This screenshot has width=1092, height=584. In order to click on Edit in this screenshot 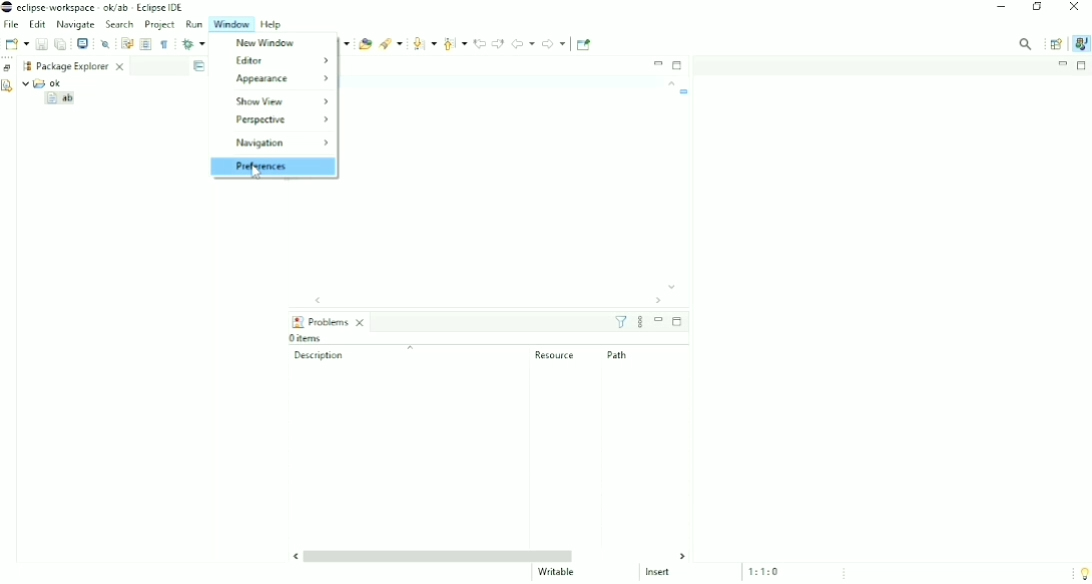, I will do `click(37, 25)`.